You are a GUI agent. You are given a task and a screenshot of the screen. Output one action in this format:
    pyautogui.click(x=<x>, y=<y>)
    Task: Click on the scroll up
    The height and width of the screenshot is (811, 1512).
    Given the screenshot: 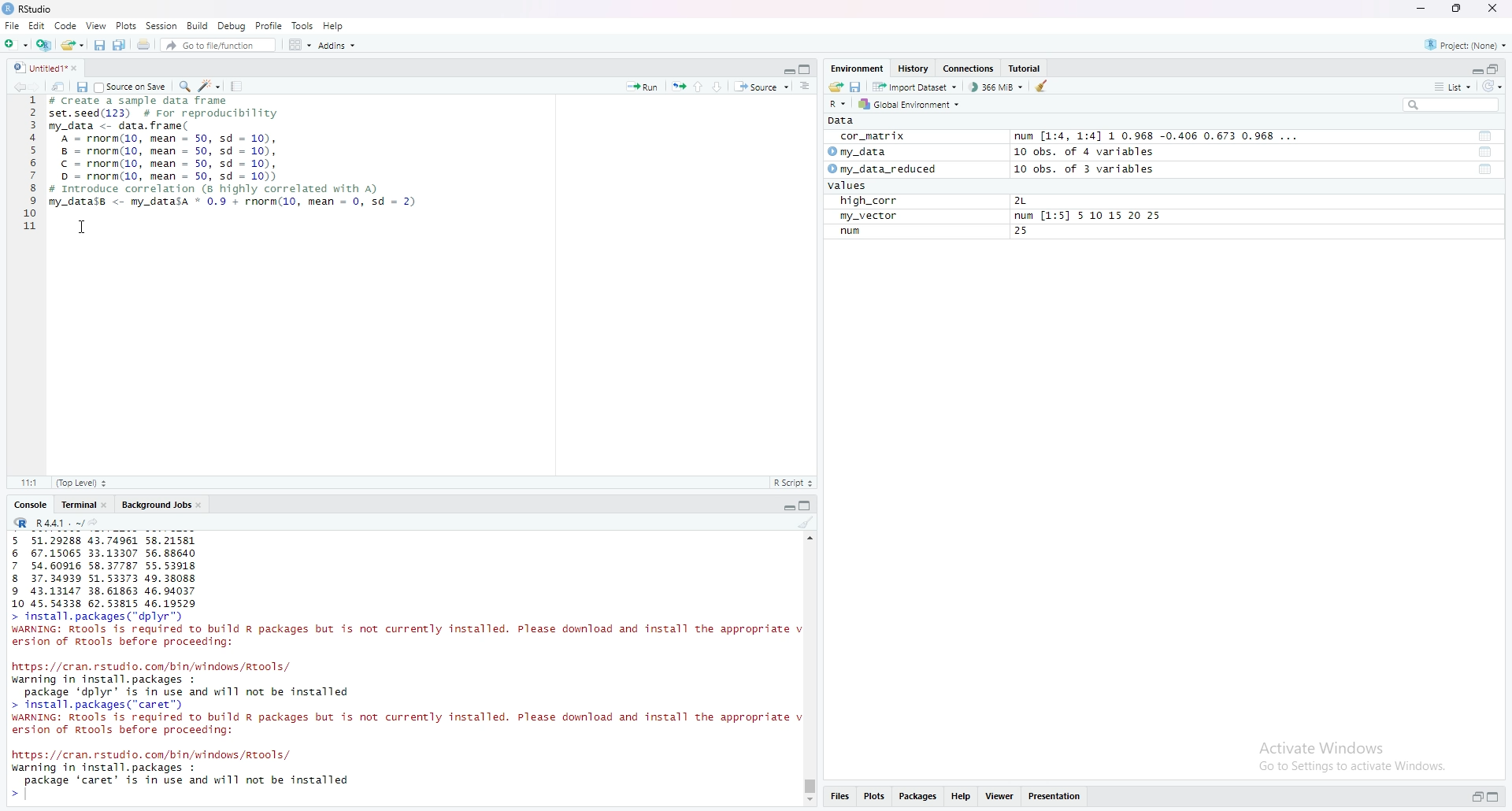 What is the action you would take?
    pyautogui.click(x=810, y=537)
    